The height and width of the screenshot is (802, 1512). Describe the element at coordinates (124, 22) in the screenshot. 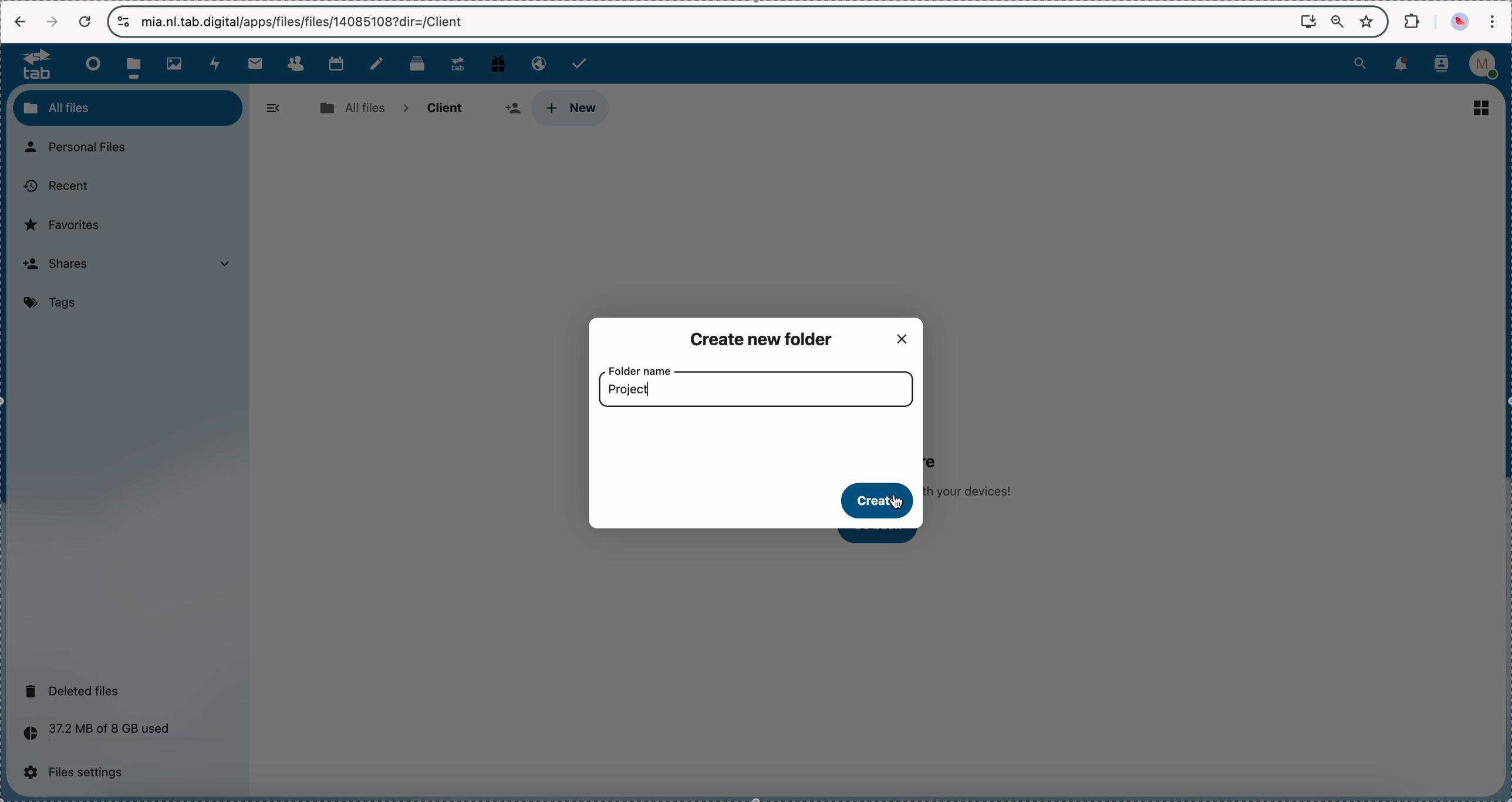

I see `controls` at that location.